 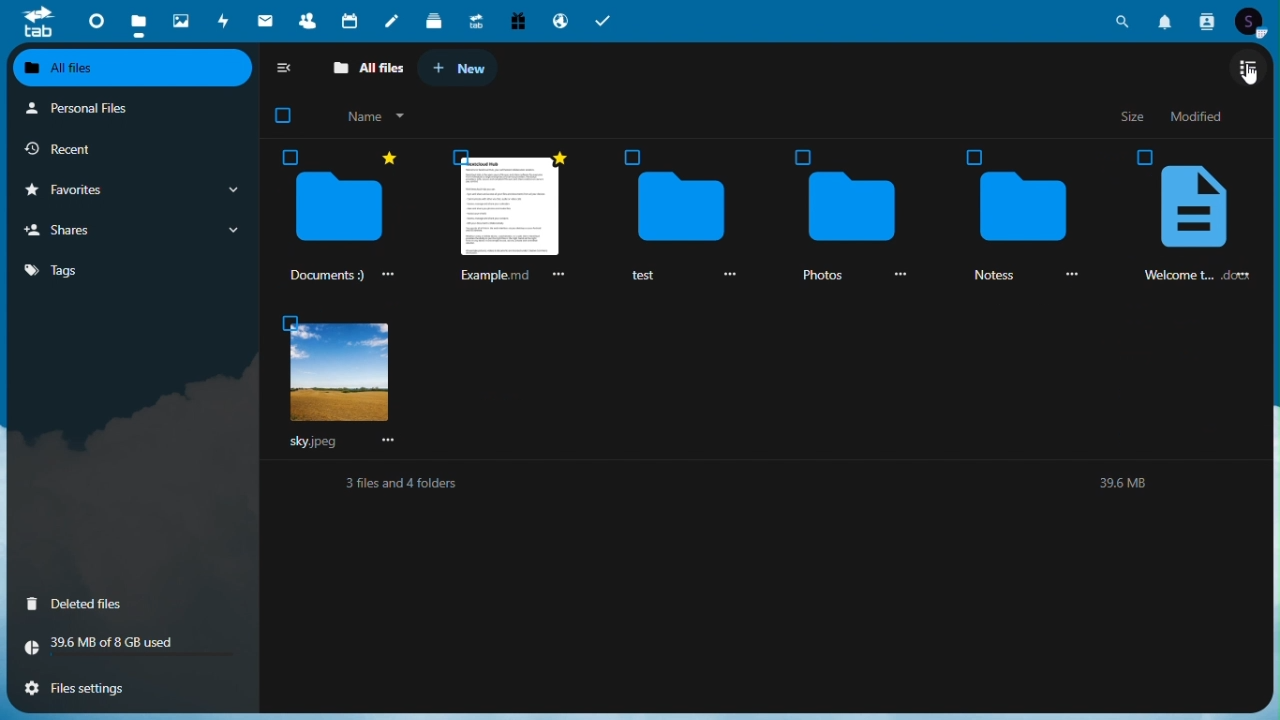 I want to click on Notifications, so click(x=1167, y=20).